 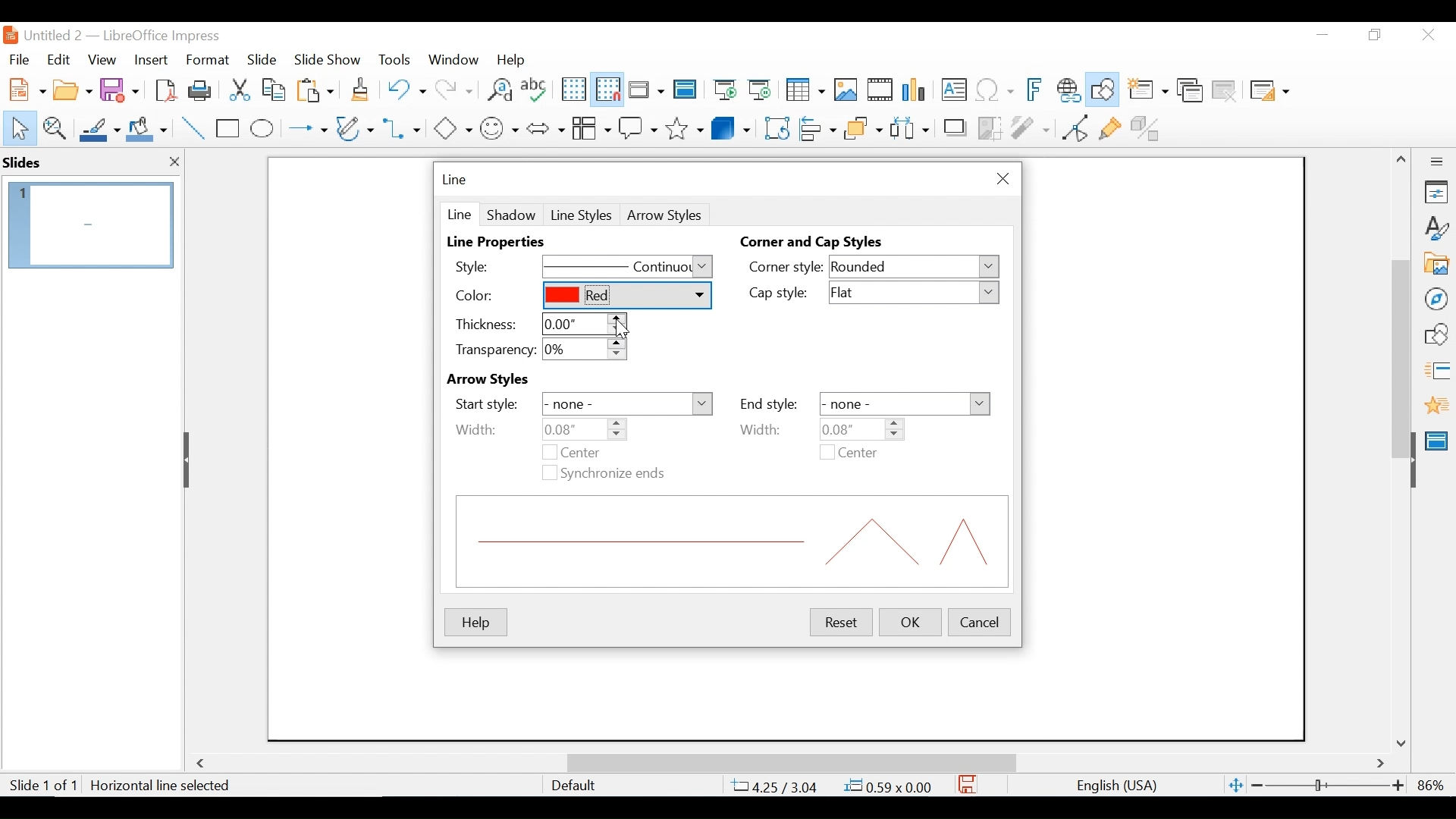 I want to click on Insert Textbox, so click(x=952, y=91).